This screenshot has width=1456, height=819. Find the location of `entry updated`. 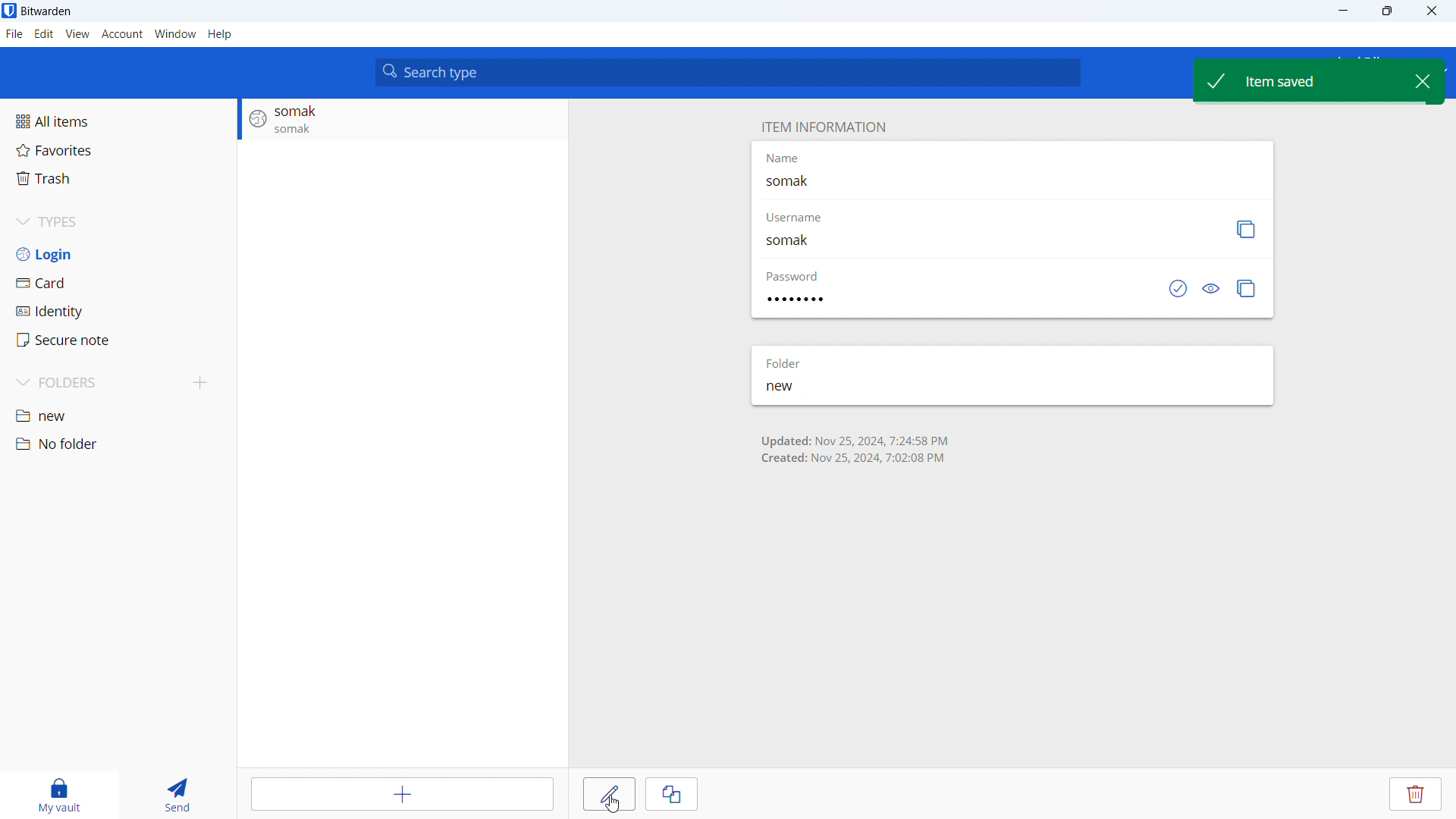

entry updated is located at coordinates (855, 449).